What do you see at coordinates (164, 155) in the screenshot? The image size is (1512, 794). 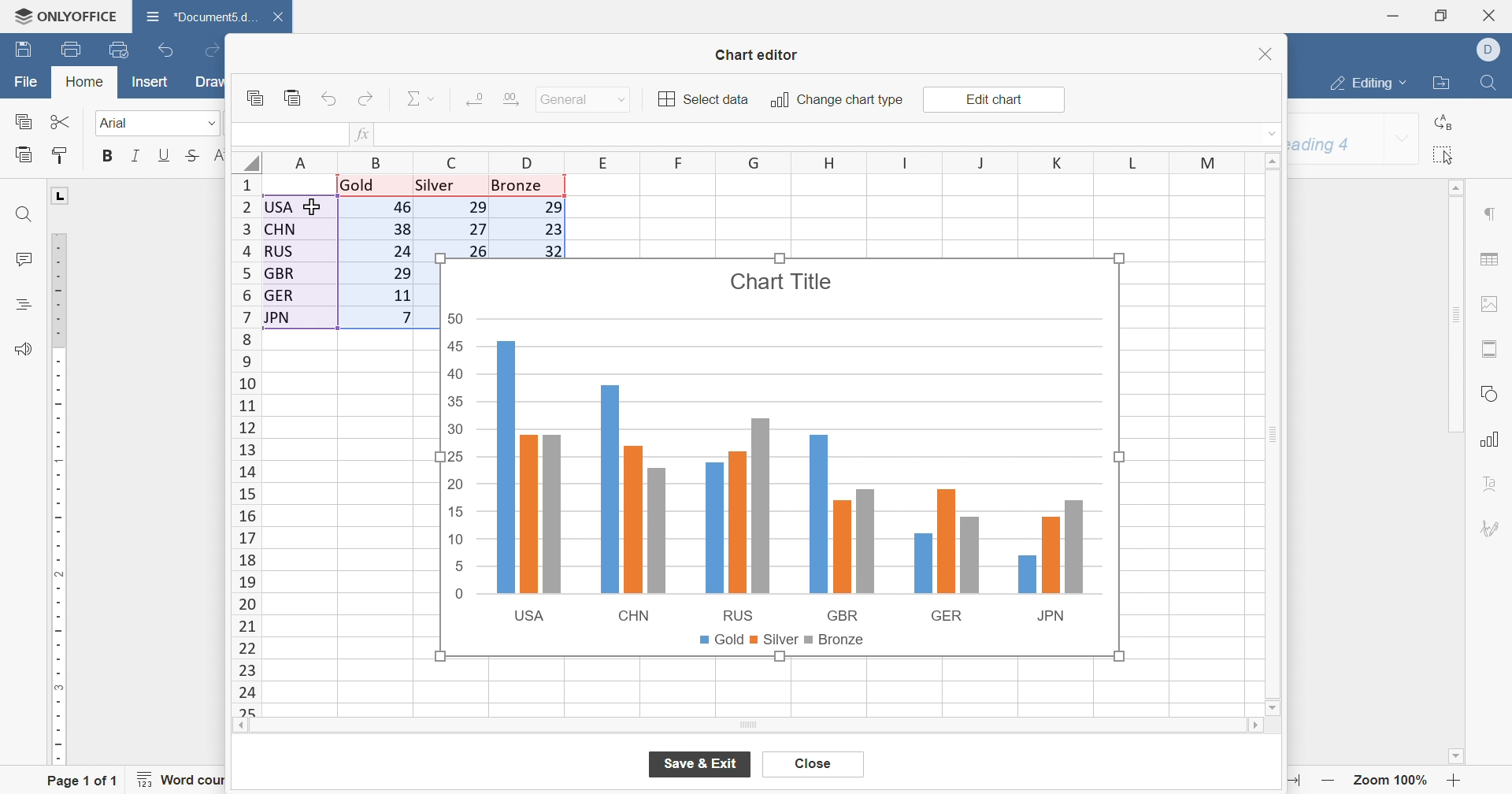 I see `underline` at bounding box center [164, 155].